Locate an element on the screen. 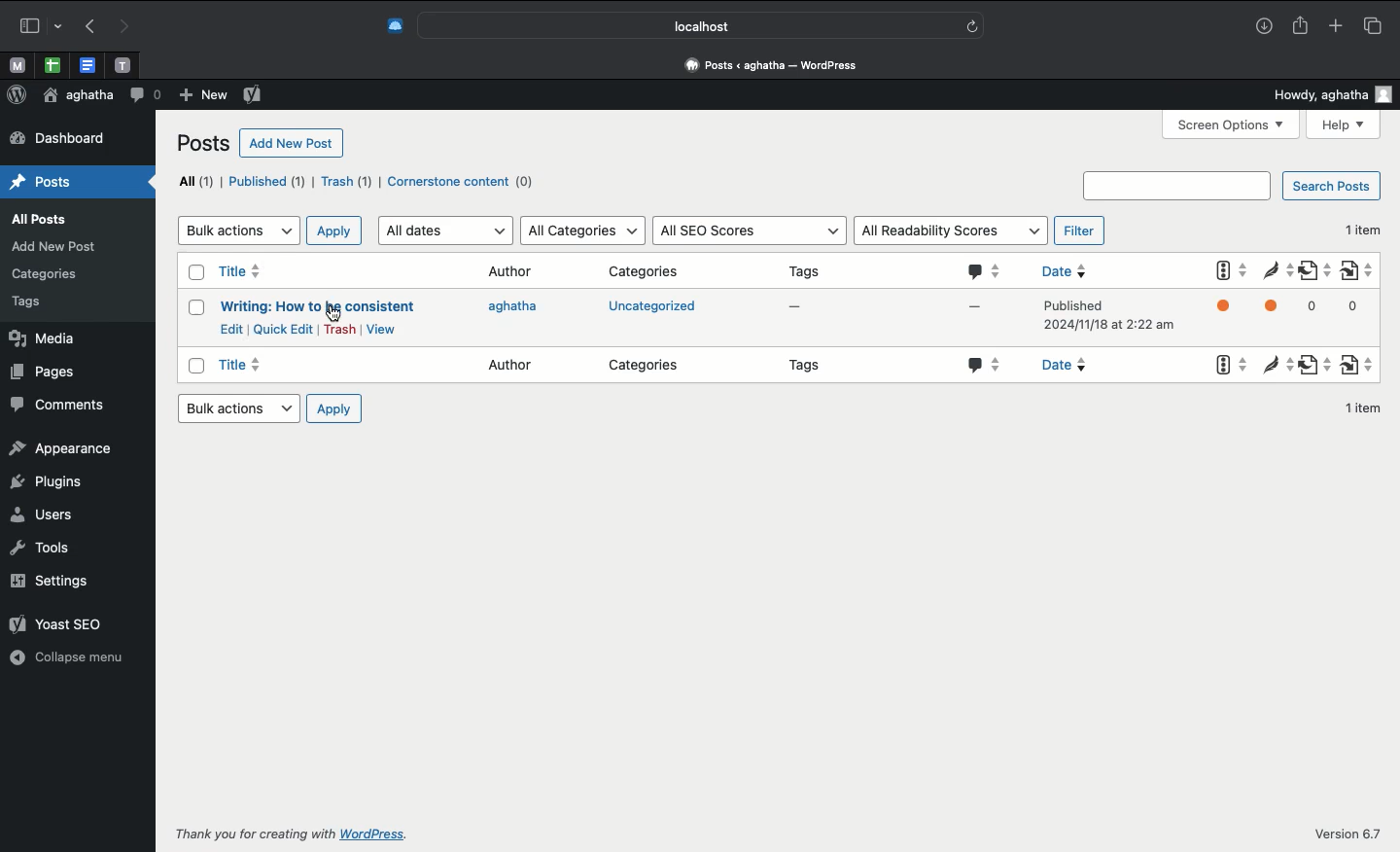 The image size is (1400, 852). Howdy, aghata is located at coordinates (1333, 91).